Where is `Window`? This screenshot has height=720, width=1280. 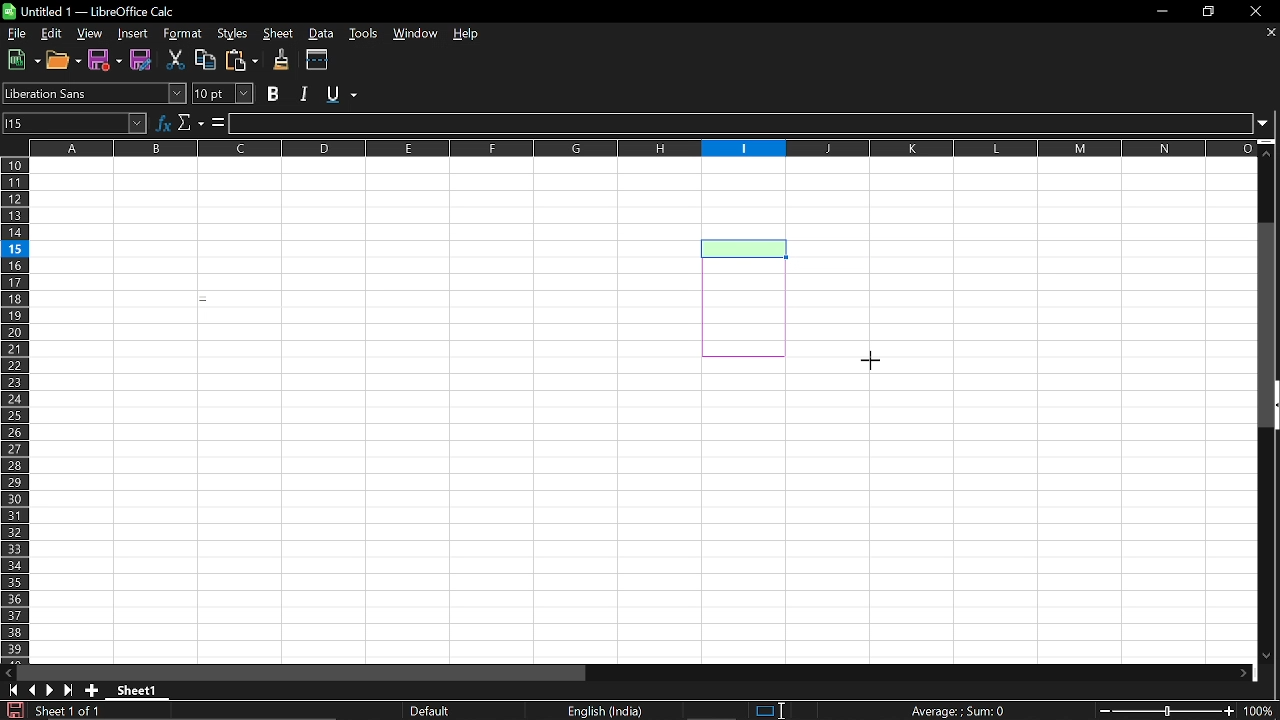
Window is located at coordinates (417, 35).